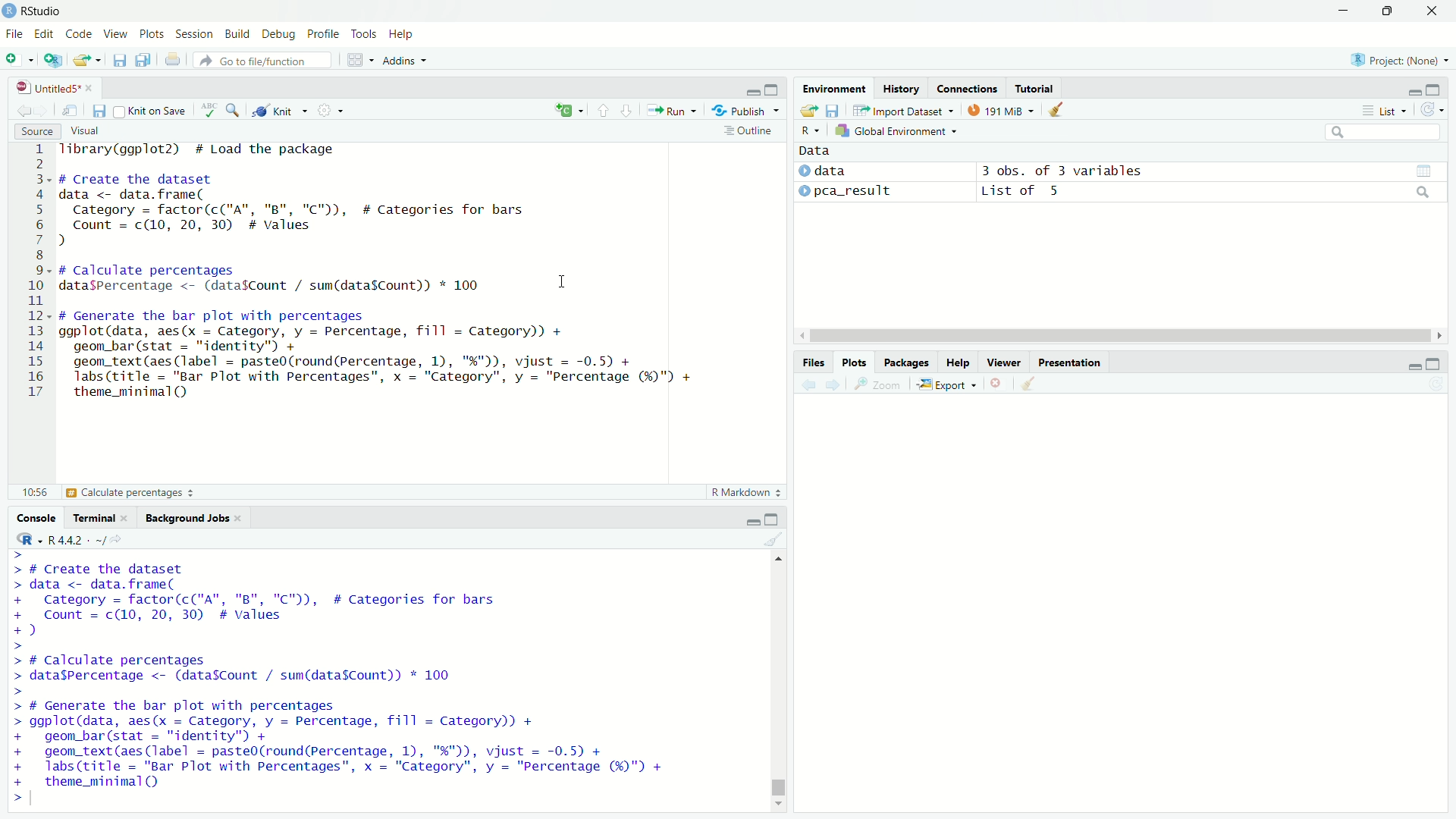 The height and width of the screenshot is (819, 1456). I want to click on horizontal scrollbar, so click(1122, 337).